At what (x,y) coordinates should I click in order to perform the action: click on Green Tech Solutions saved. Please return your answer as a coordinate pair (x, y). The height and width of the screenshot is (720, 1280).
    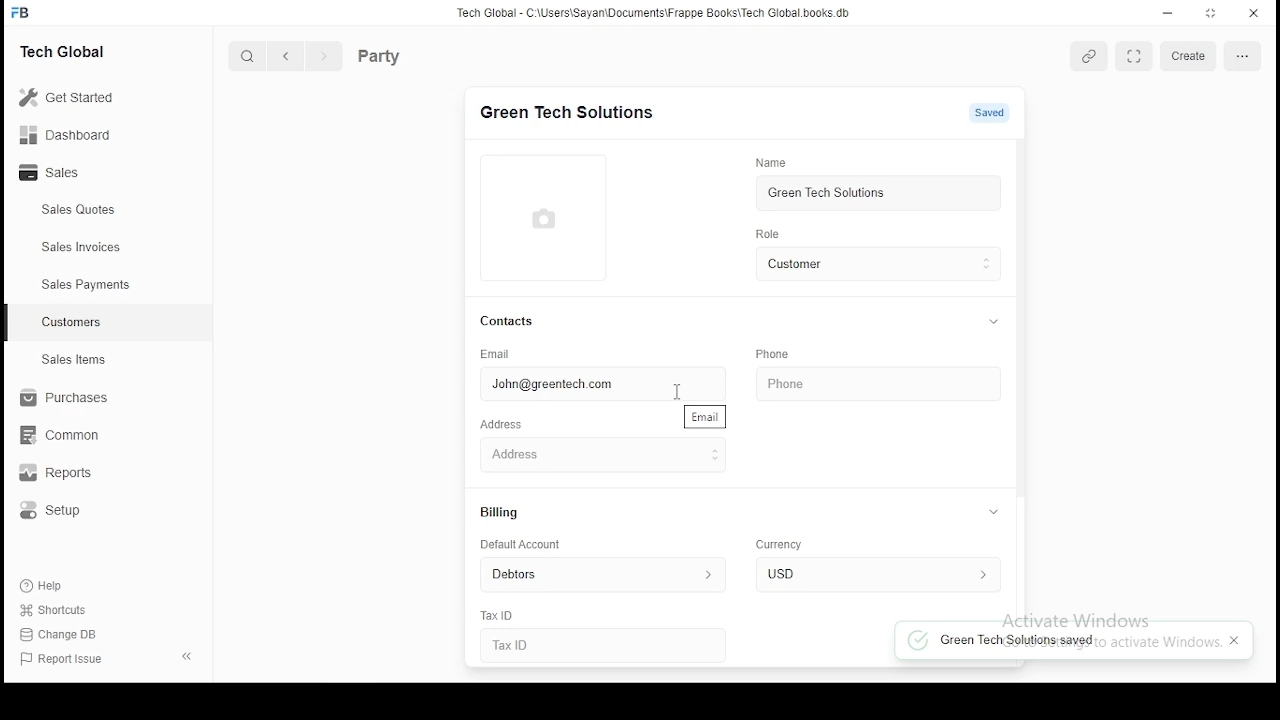
    Looking at the image, I should click on (1023, 642).